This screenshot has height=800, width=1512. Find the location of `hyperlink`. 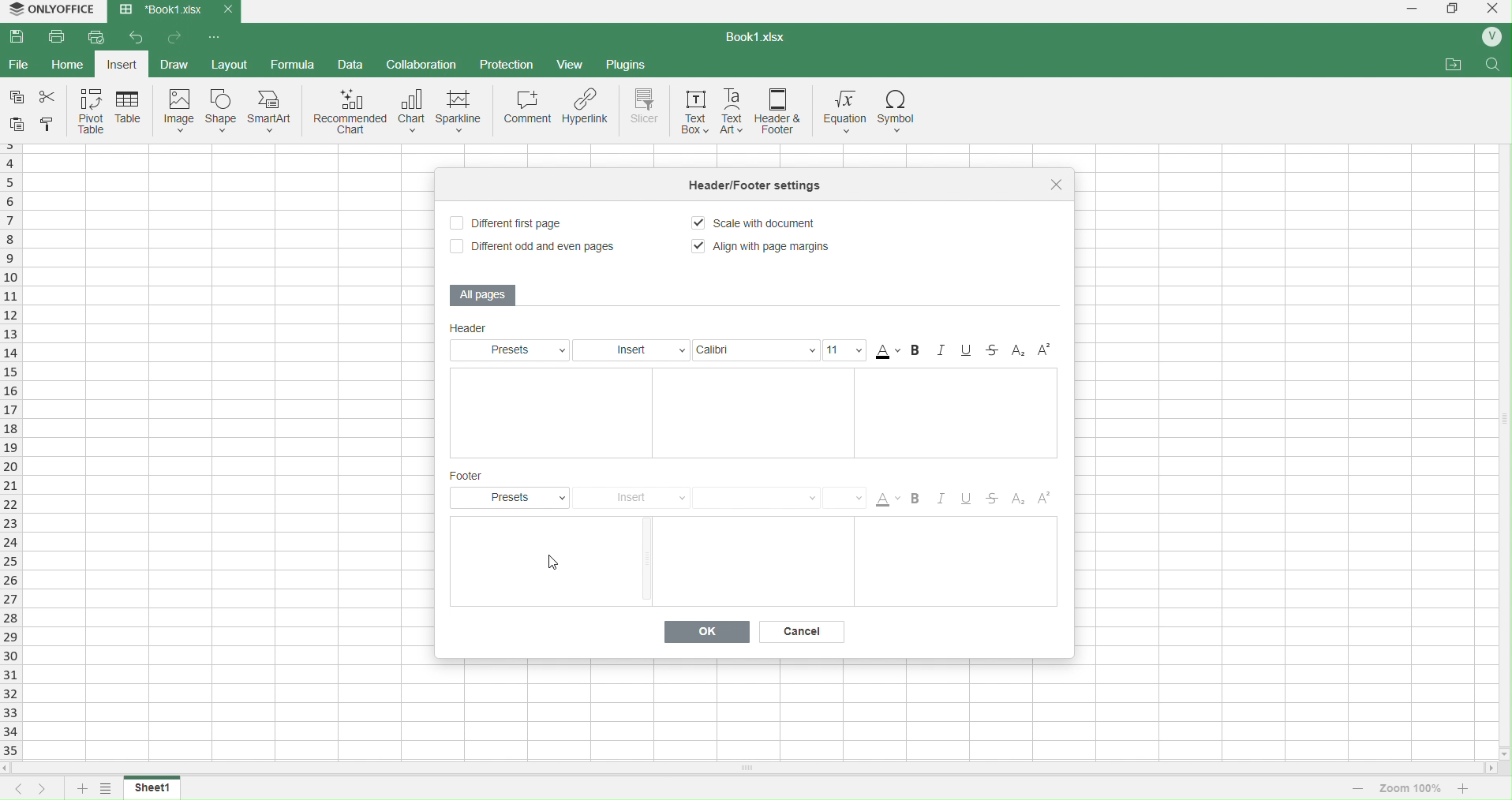

hyperlink is located at coordinates (585, 112).